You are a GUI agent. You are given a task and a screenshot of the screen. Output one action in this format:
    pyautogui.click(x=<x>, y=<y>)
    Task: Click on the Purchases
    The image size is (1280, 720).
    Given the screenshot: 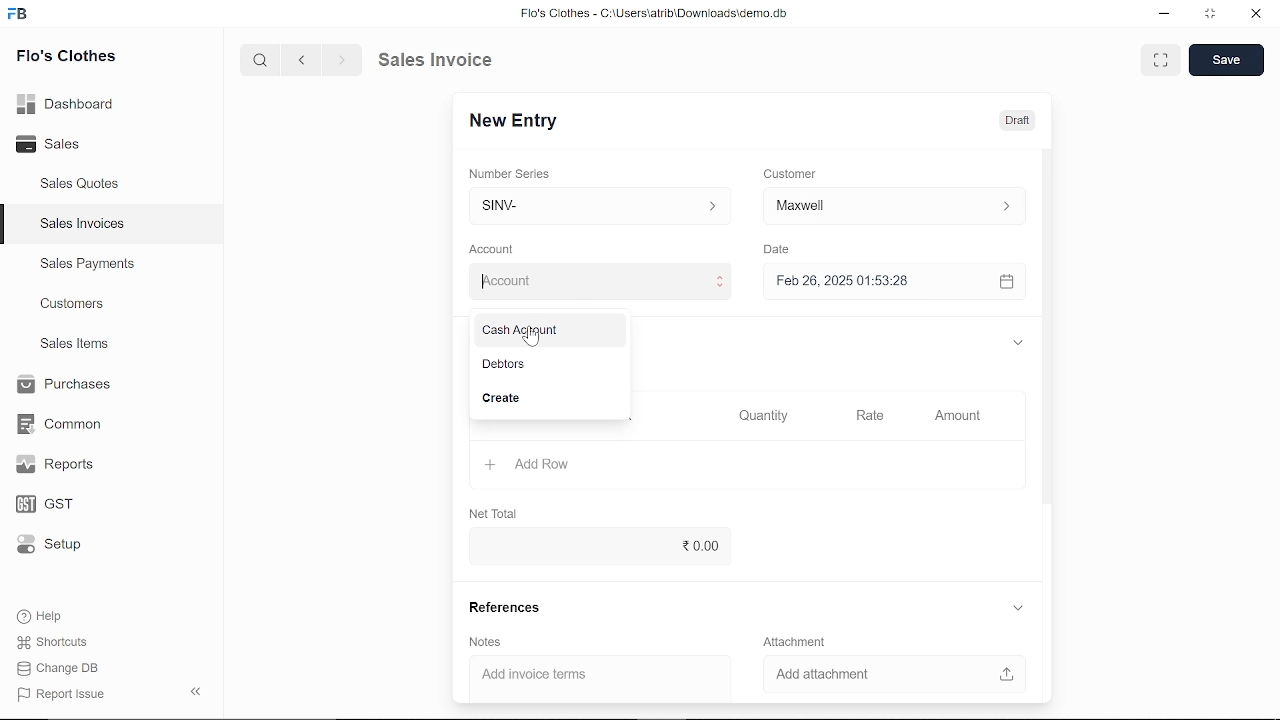 What is the action you would take?
    pyautogui.click(x=62, y=385)
    